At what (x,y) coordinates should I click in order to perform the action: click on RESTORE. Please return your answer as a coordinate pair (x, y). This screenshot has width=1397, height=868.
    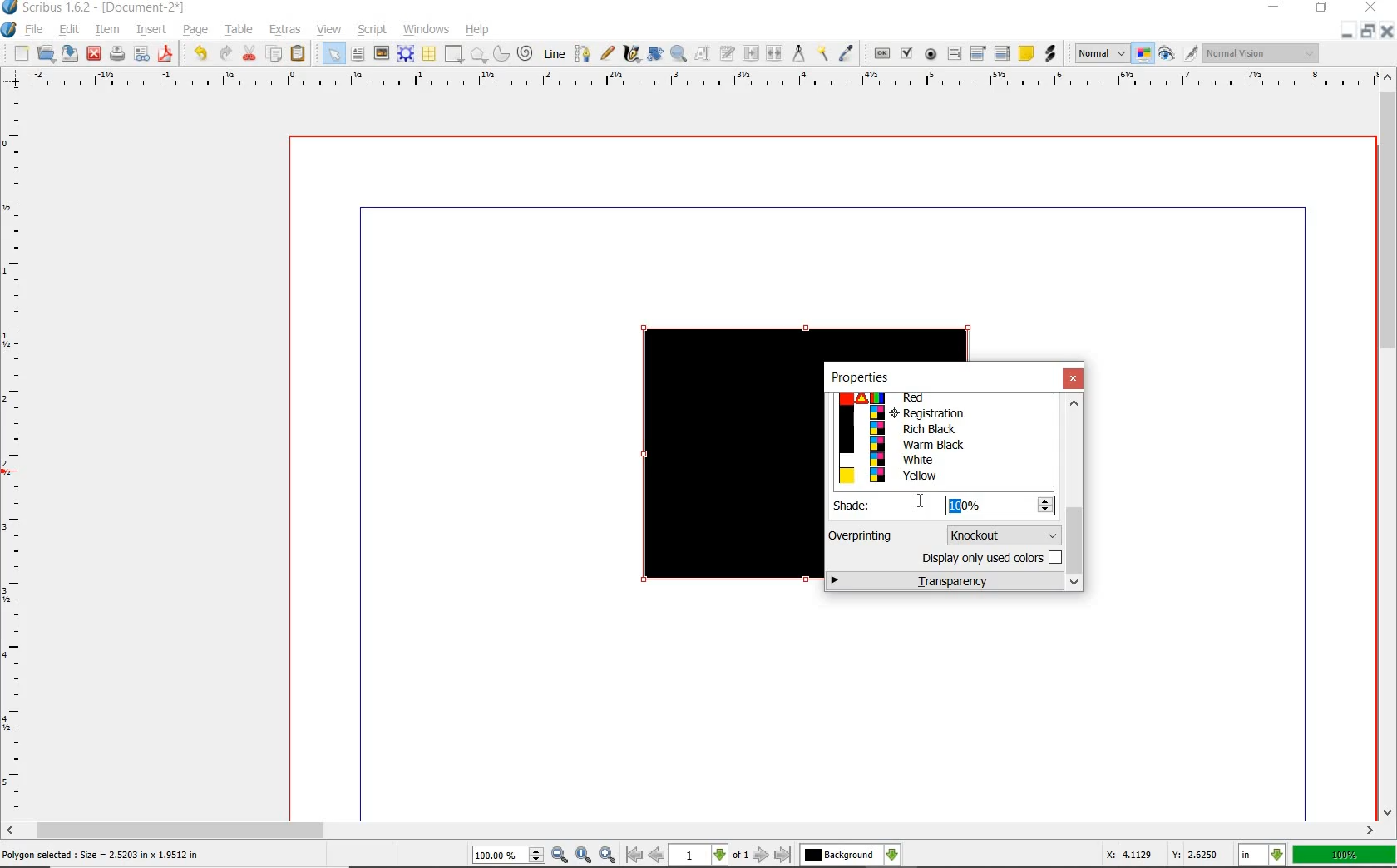
    Looking at the image, I should click on (1364, 34).